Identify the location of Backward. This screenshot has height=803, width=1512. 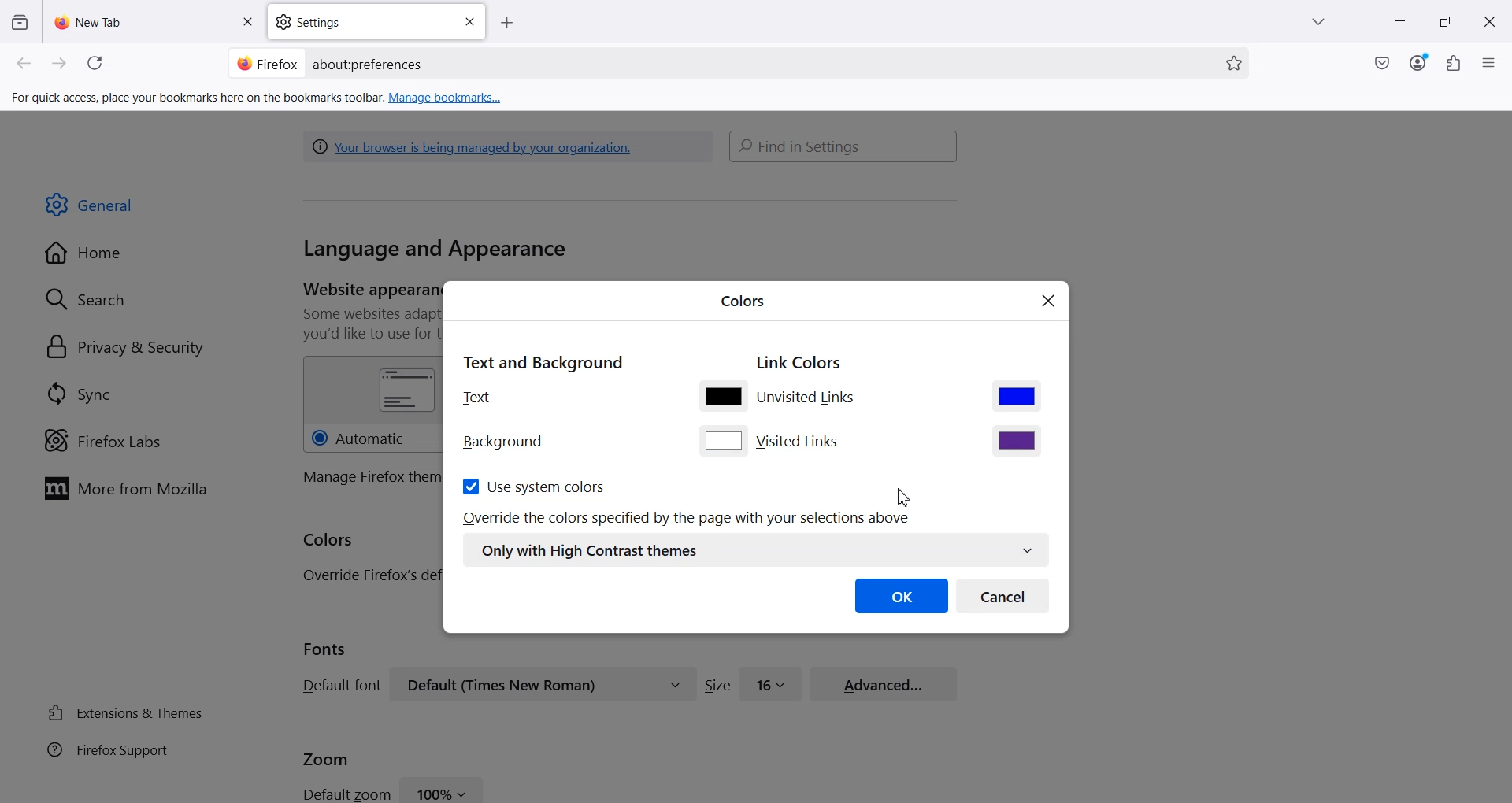
(25, 64).